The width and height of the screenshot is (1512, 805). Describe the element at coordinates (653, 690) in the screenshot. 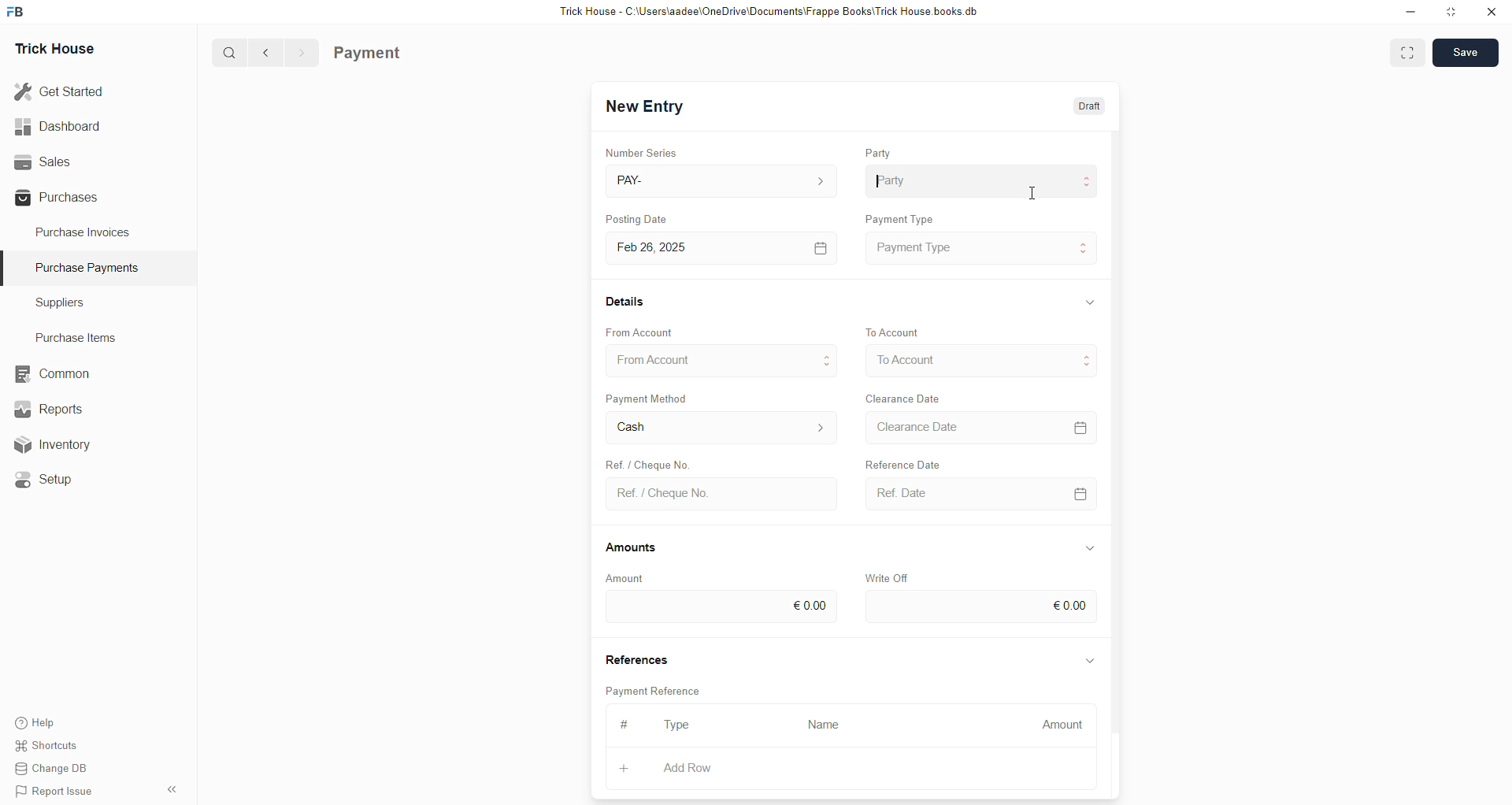

I see `Payment Reference` at that location.